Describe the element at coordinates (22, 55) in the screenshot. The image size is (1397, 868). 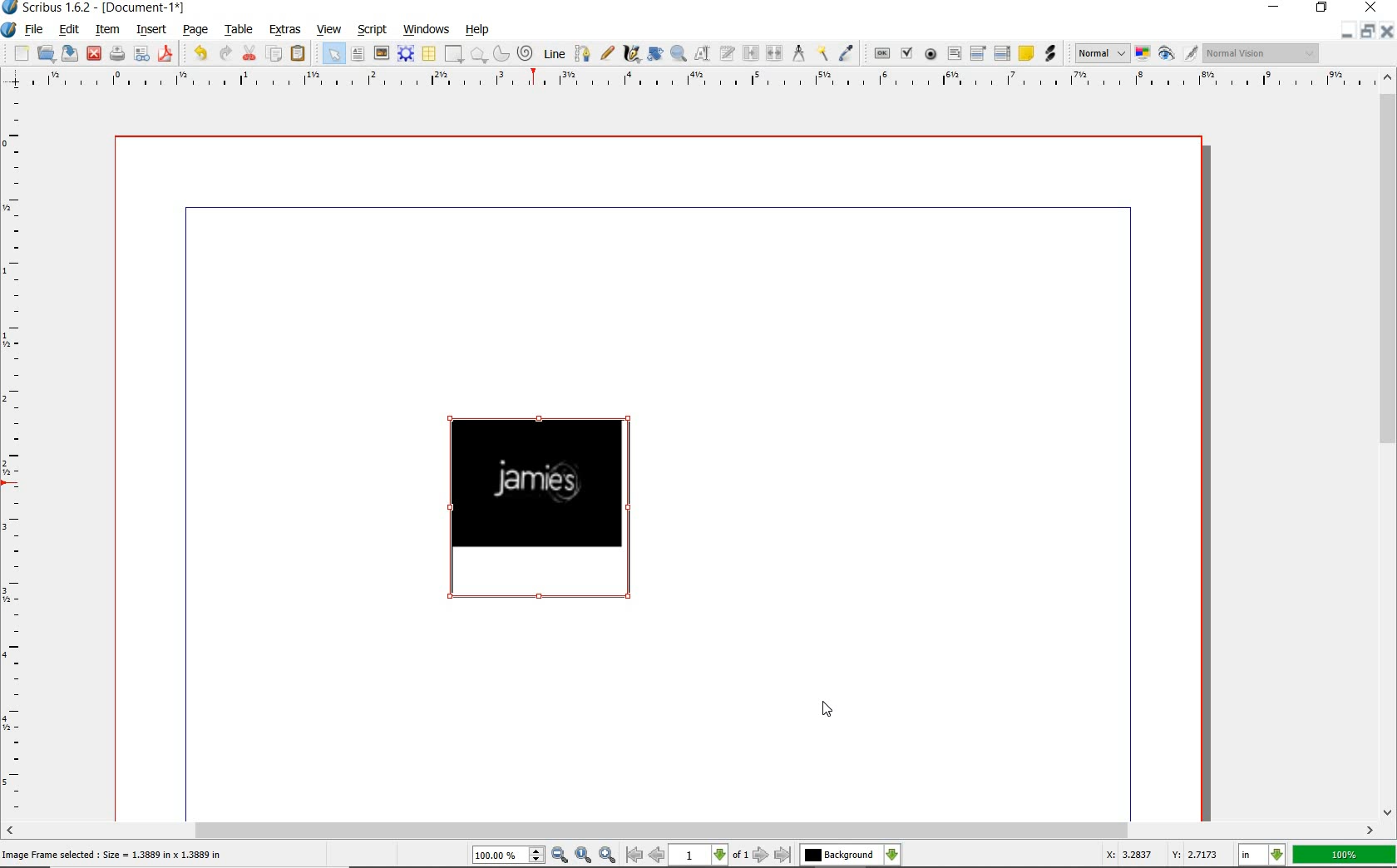
I see `new` at that location.